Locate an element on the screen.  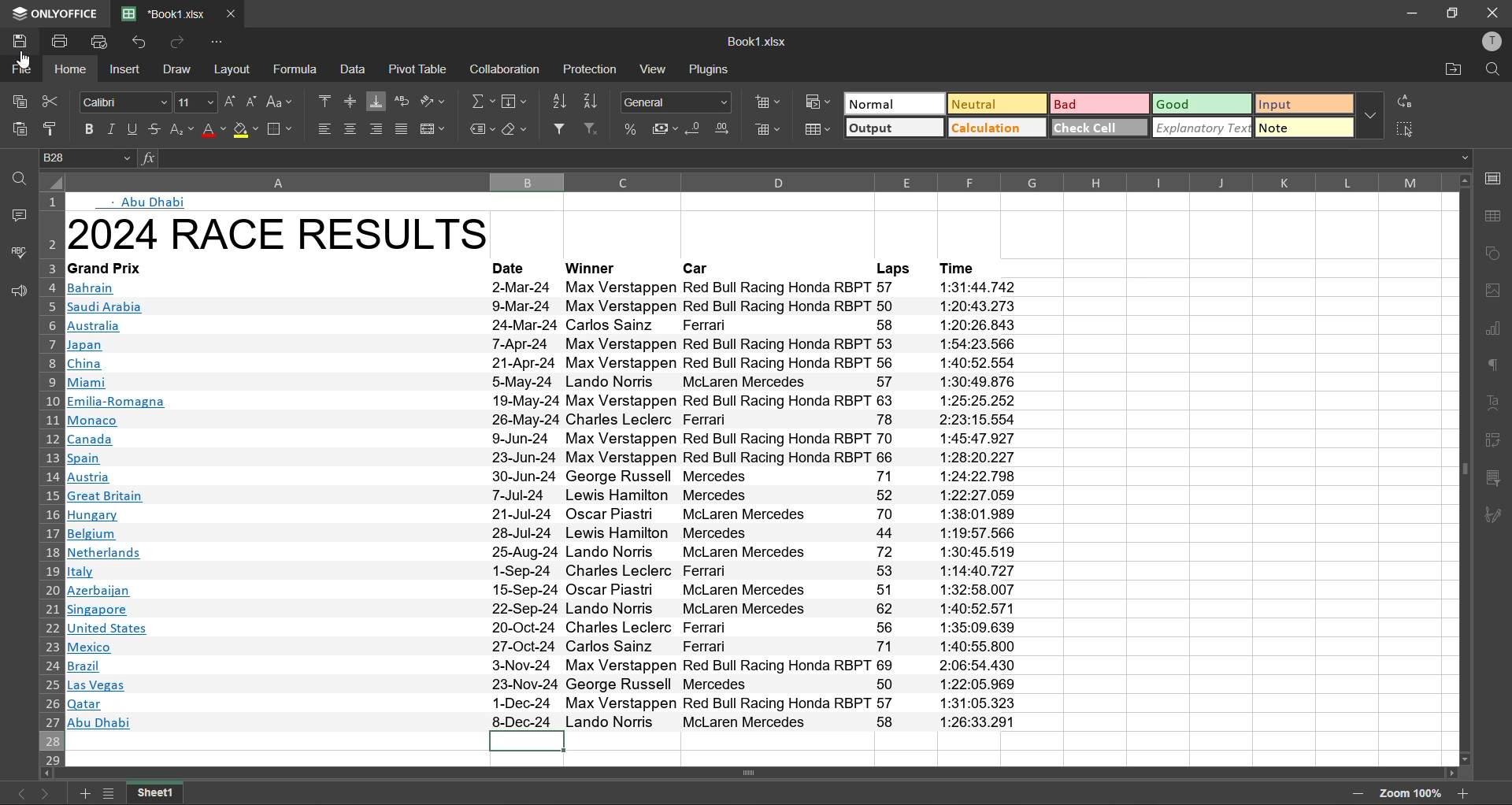
note is located at coordinates (1304, 128).